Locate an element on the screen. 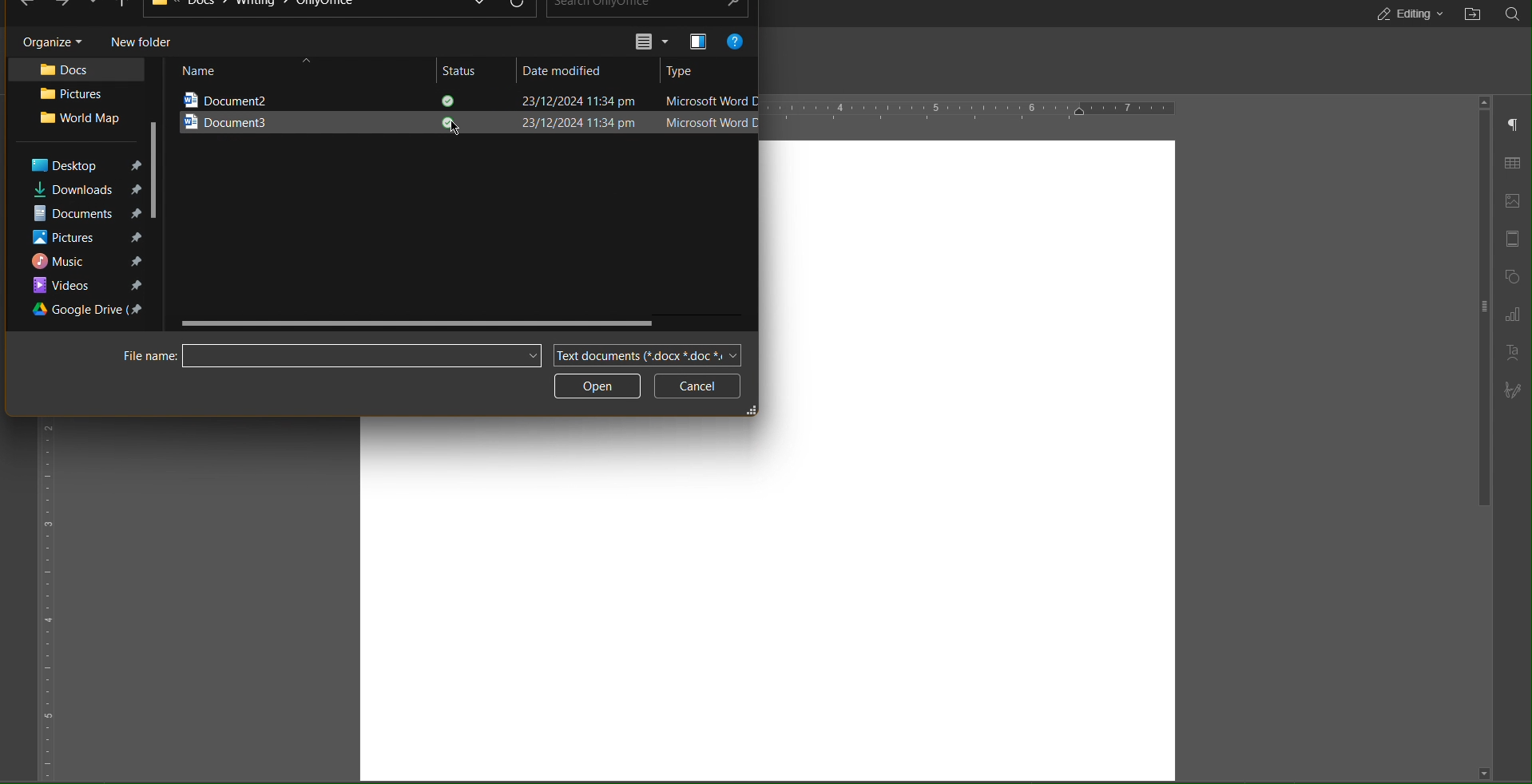 Image resolution: width=1532 pixels, height=784 pixels. Header Footer is located at coordinates (1514, 240).